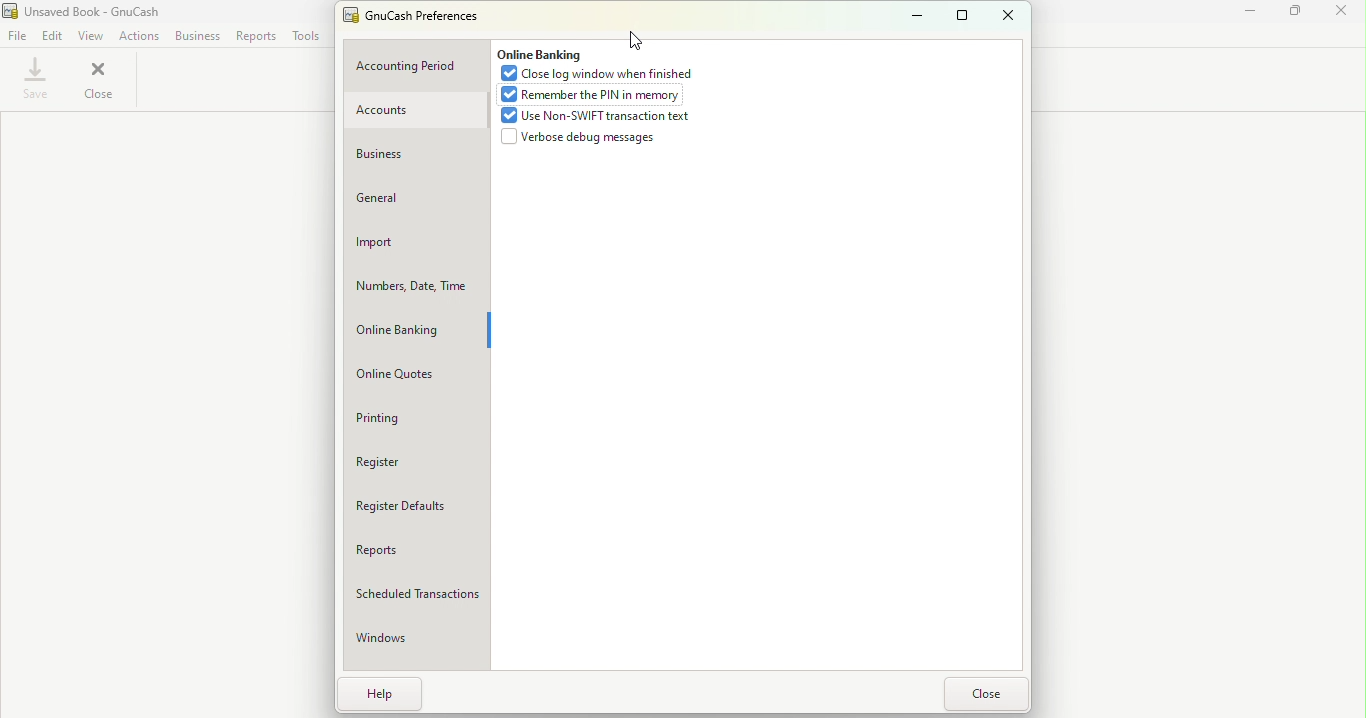 This screenshot has width=1366, height=718. Describe the element at coordinates (308, 39) in the screenshot. I see `tools` at that location.